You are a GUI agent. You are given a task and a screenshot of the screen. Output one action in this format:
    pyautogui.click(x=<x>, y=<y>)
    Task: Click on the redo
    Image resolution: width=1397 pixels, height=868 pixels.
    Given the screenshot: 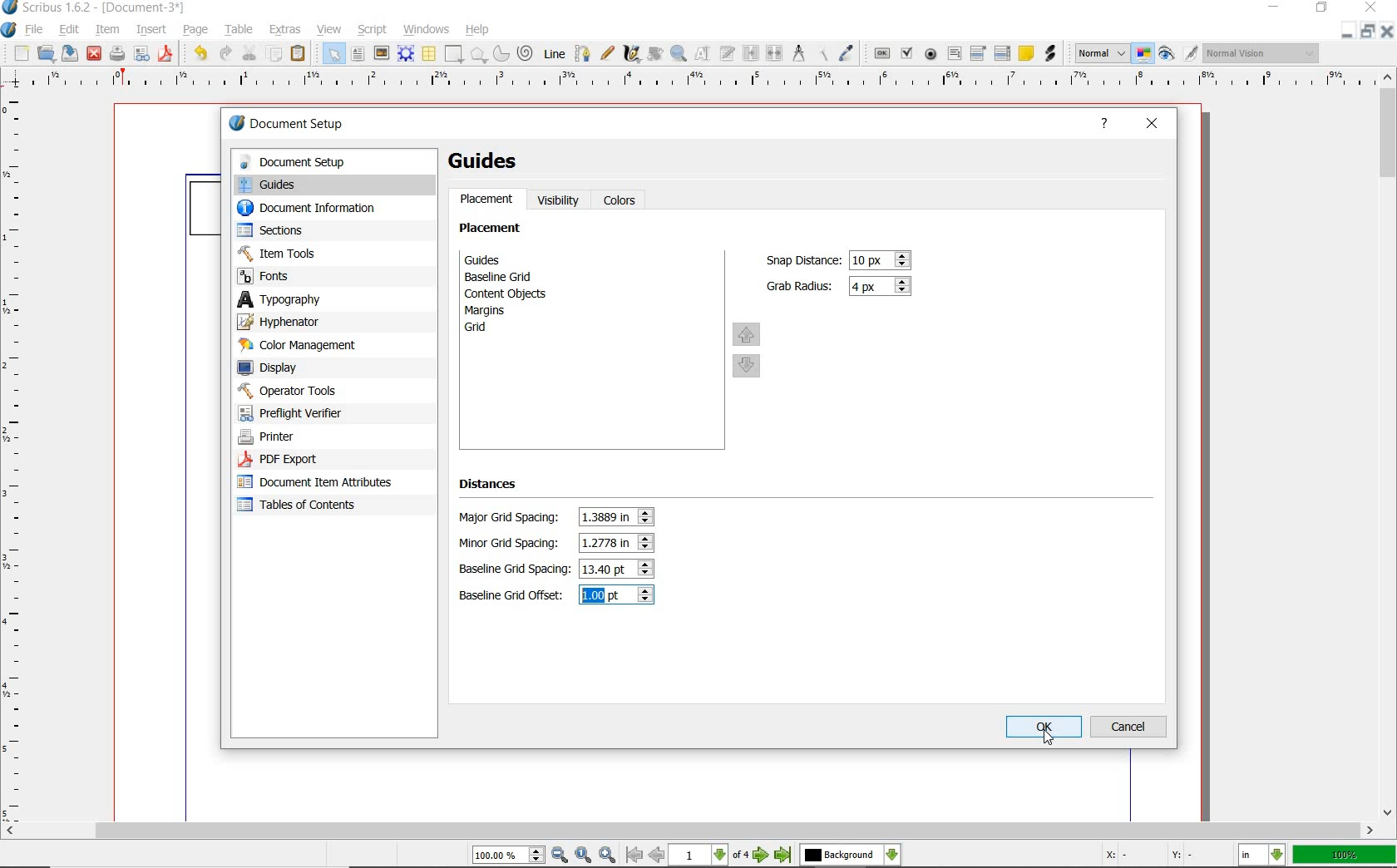 What is the action you would take?
    pyautogui.click(x=225, y=54)
    